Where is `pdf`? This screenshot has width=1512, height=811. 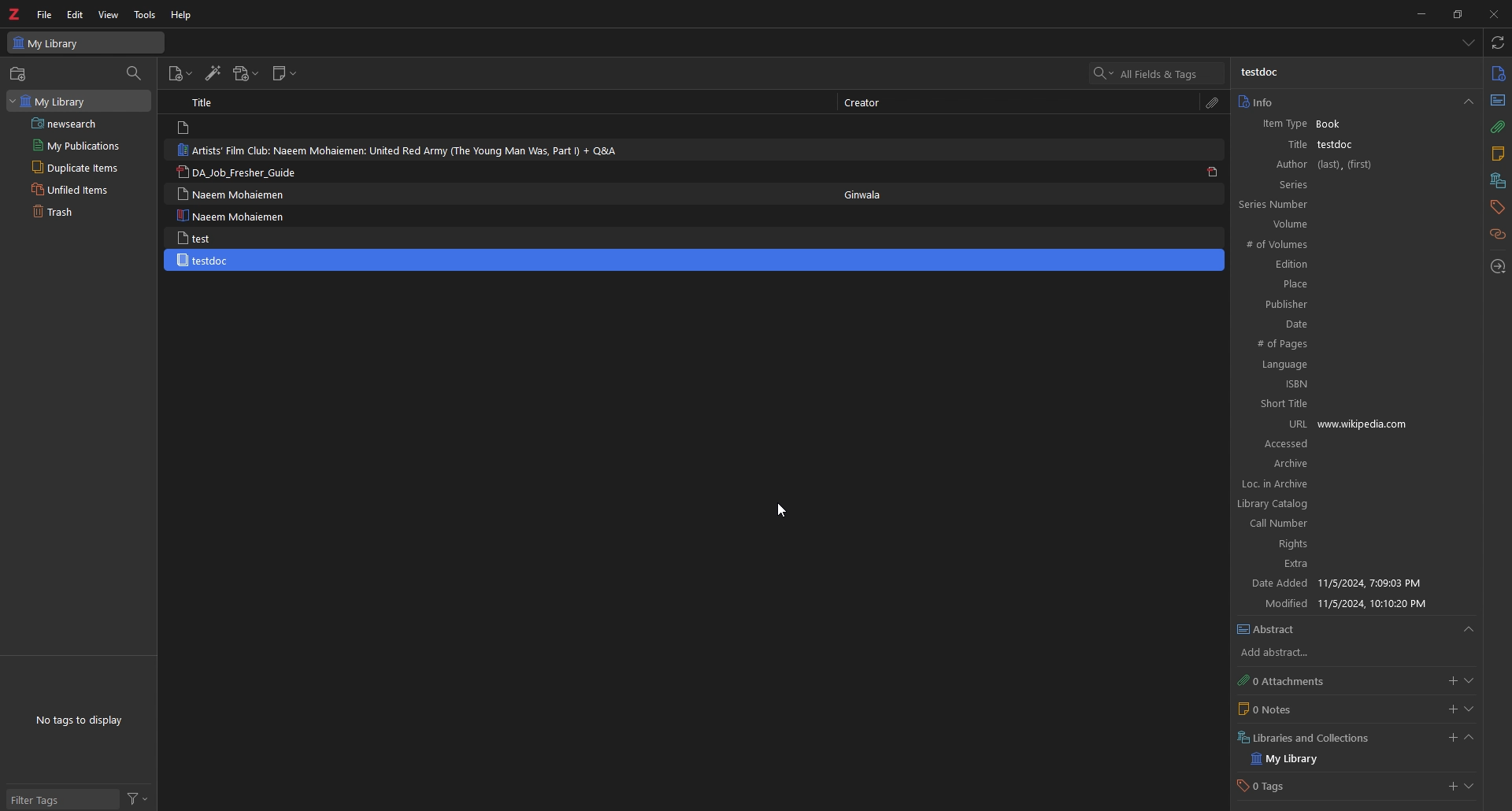 pdf is located at coordinates (1213, 172).